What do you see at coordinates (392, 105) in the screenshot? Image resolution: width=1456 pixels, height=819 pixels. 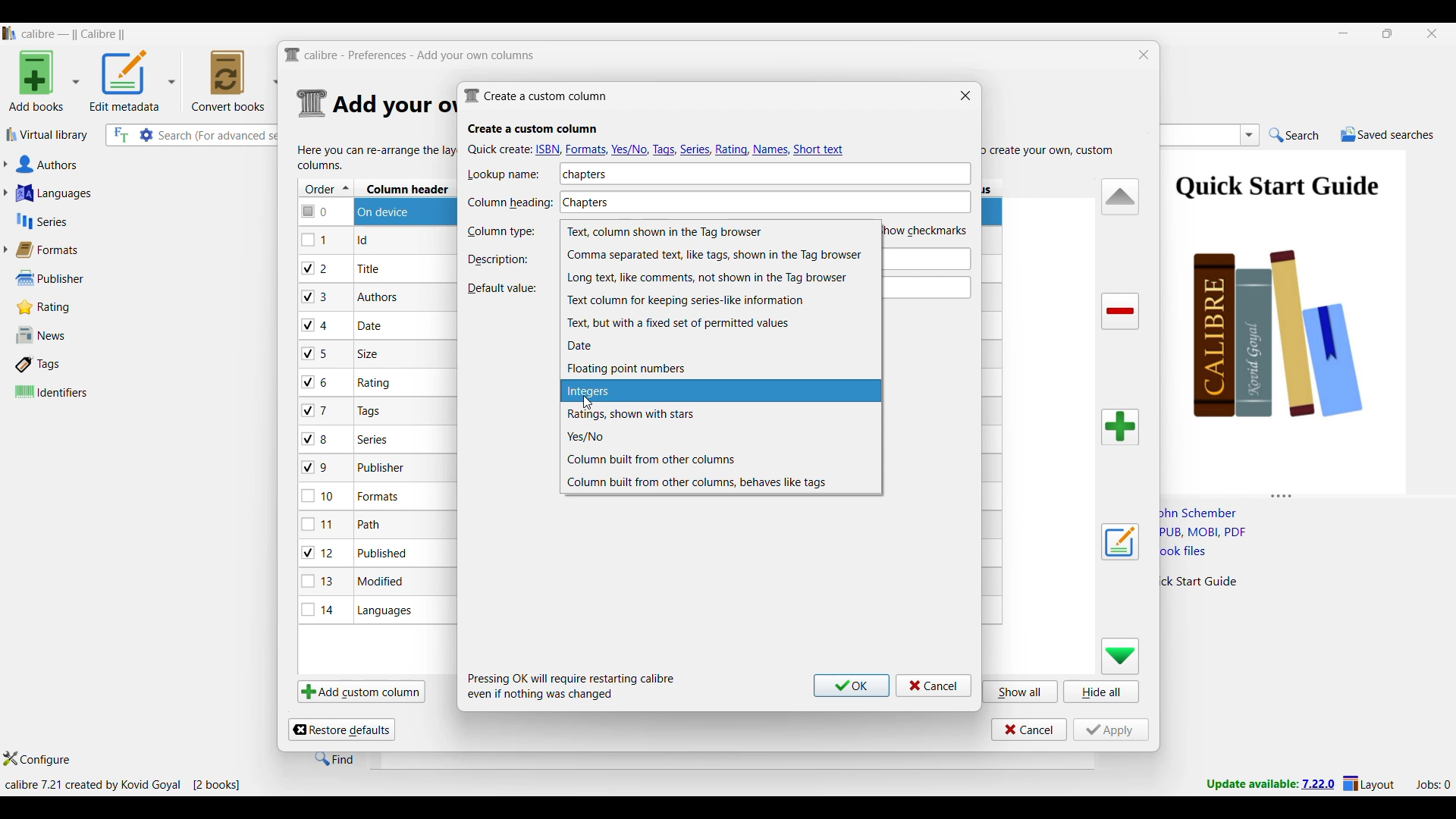 I see `Section details` at bounding box center [392, 105].